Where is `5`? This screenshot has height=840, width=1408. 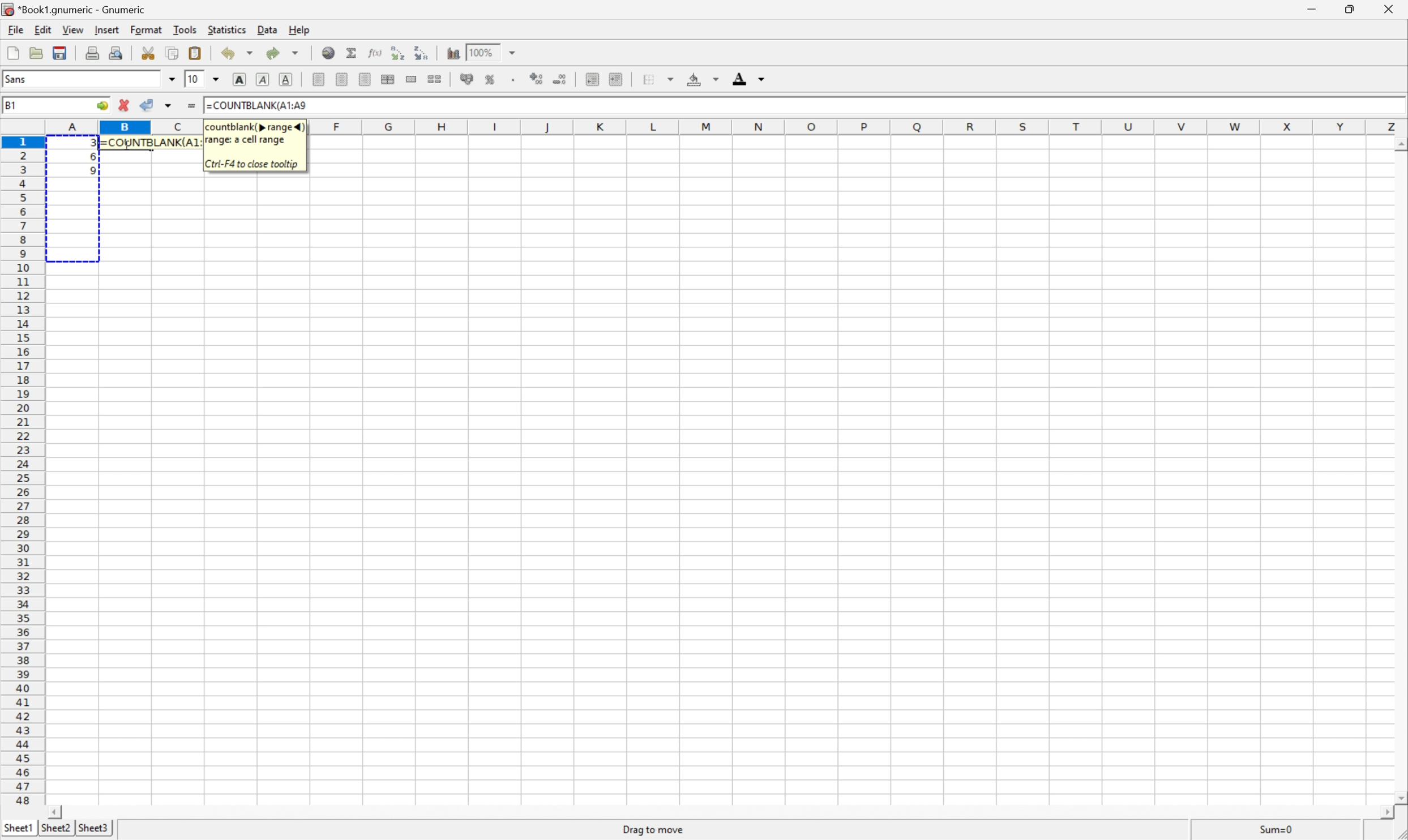
5 is located at coordinates (89, 173).